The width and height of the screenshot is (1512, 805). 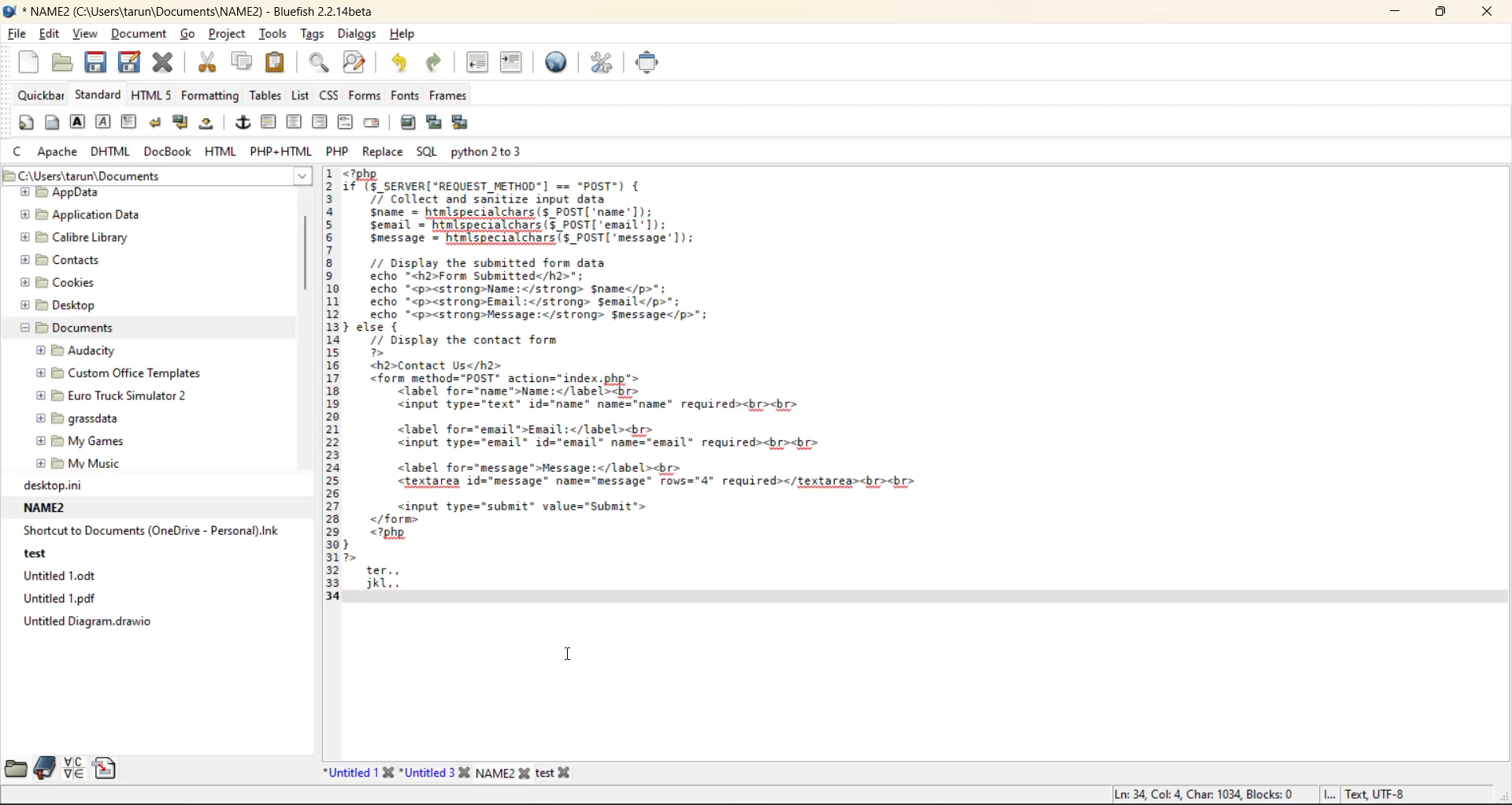 What do you see at coordinates (50, 485) in the screenshot?
I see `desktop.ini` at bounding box center [50, 485].